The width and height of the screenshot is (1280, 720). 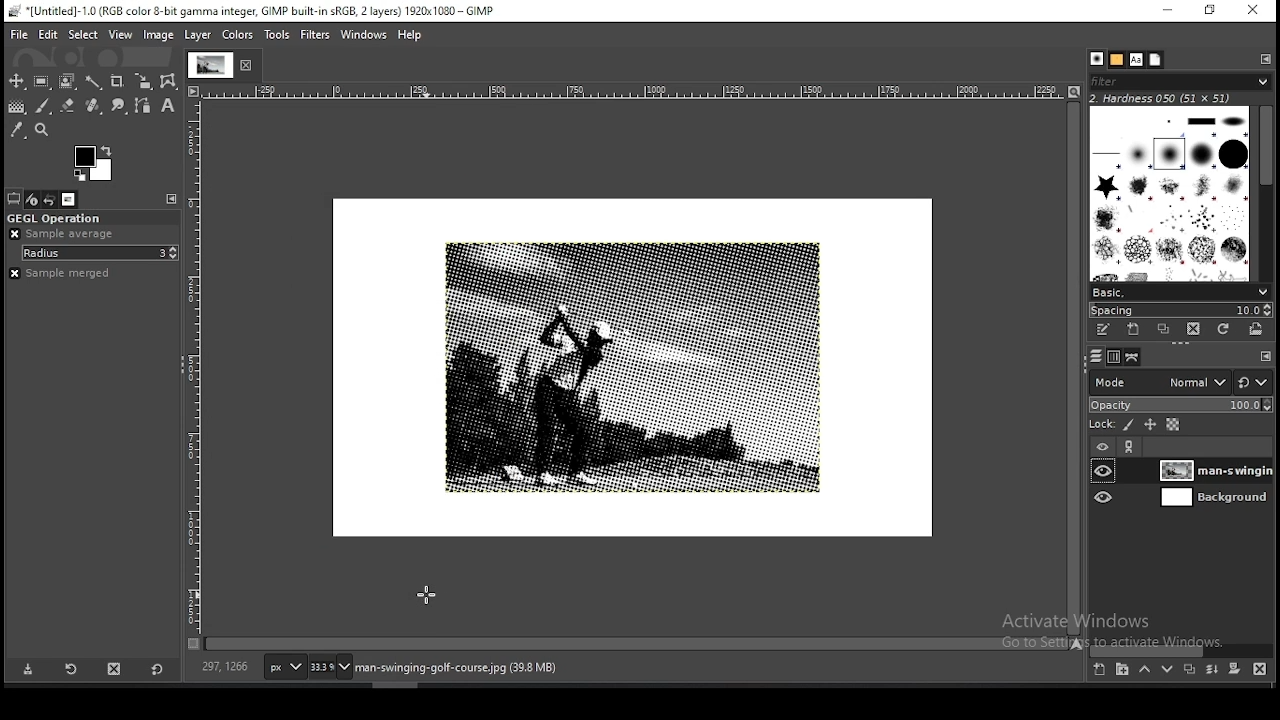 What do you see at coordinates (1103, 472) in the screenshot?
I see `layer visibility on/off` at bounding box center [1103, 472].